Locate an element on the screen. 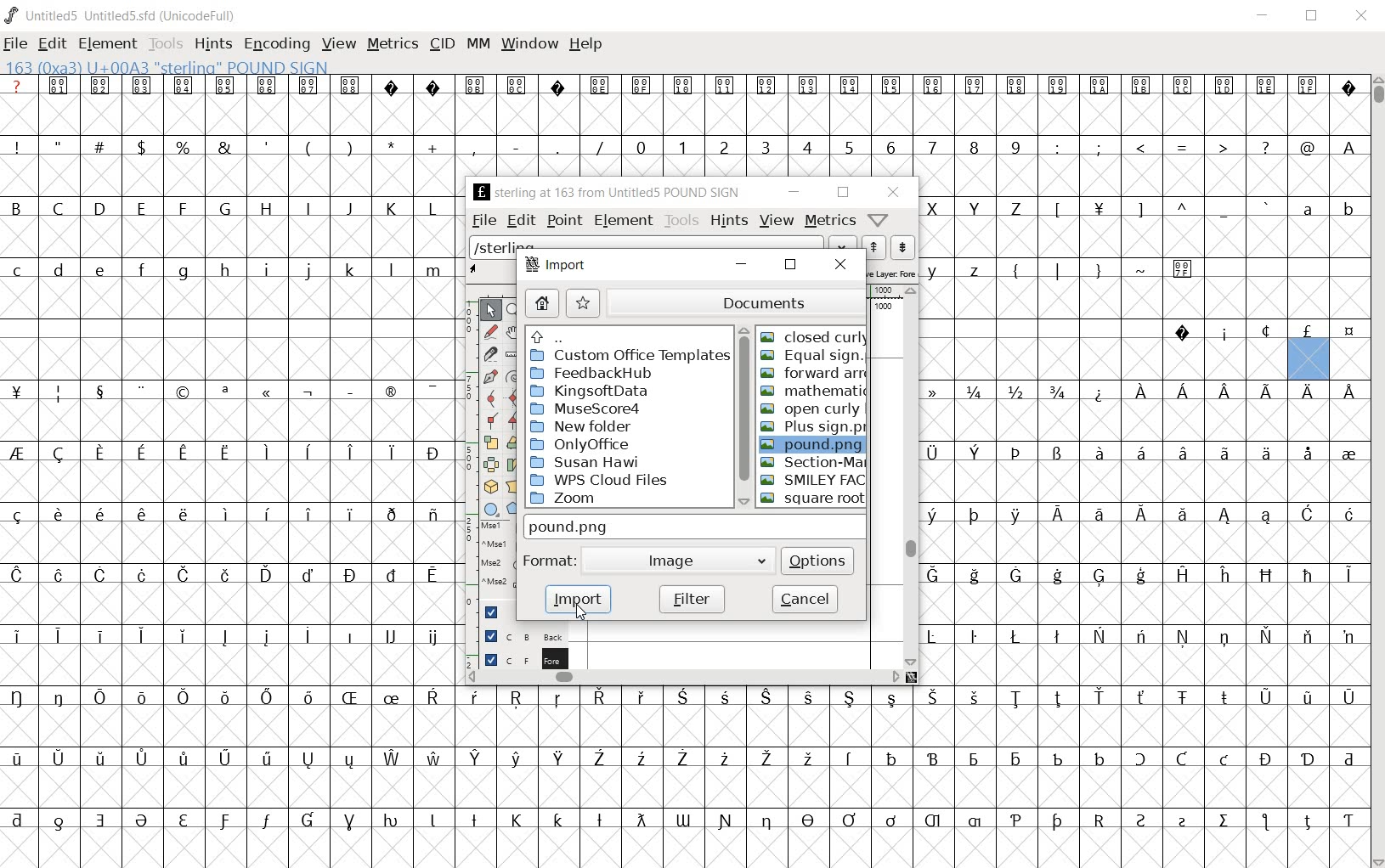 The image size is (1385, 868).  is located at coordinates (558, 819).